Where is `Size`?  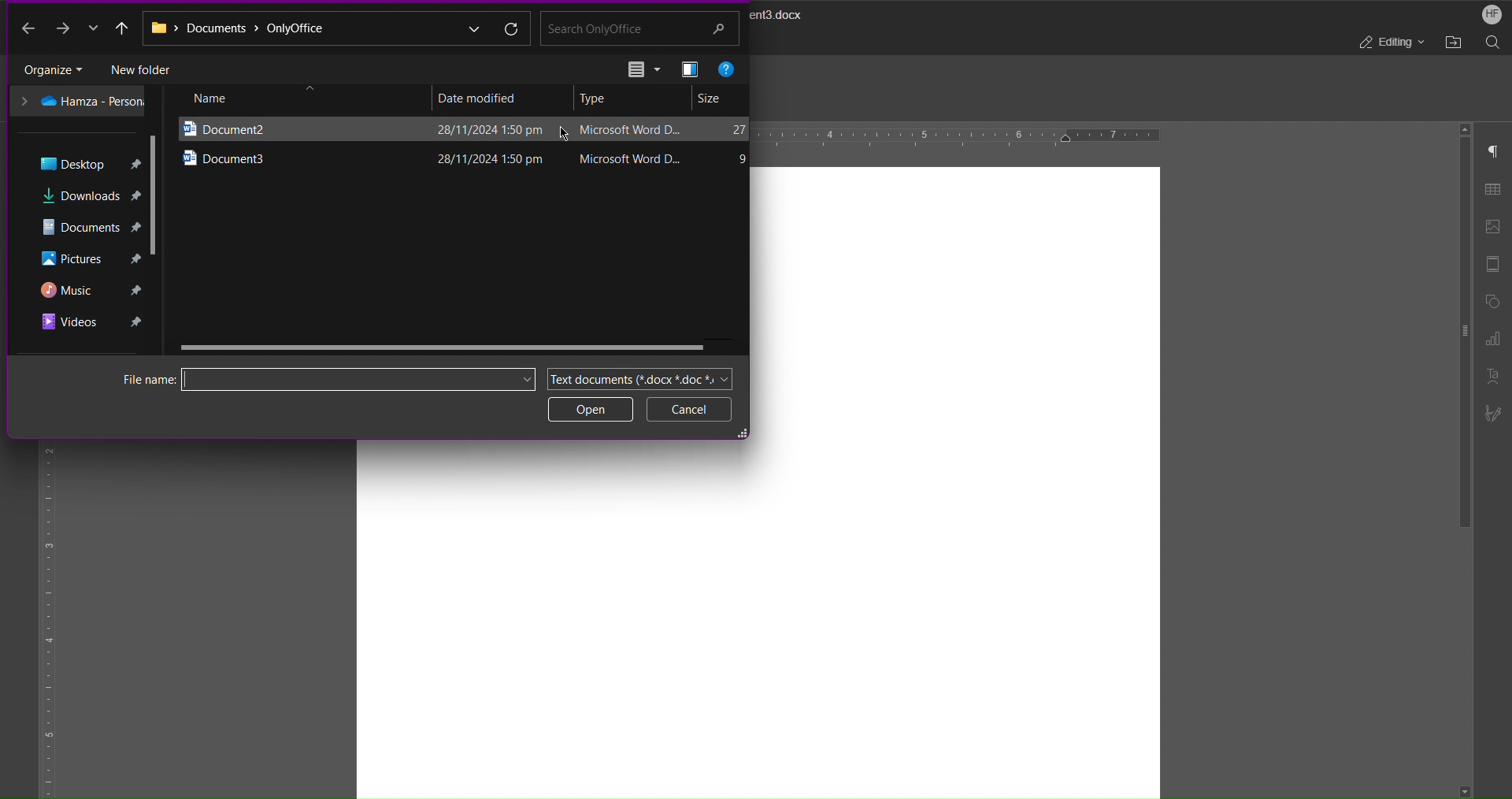 Size is located at coordinates (713, 99).